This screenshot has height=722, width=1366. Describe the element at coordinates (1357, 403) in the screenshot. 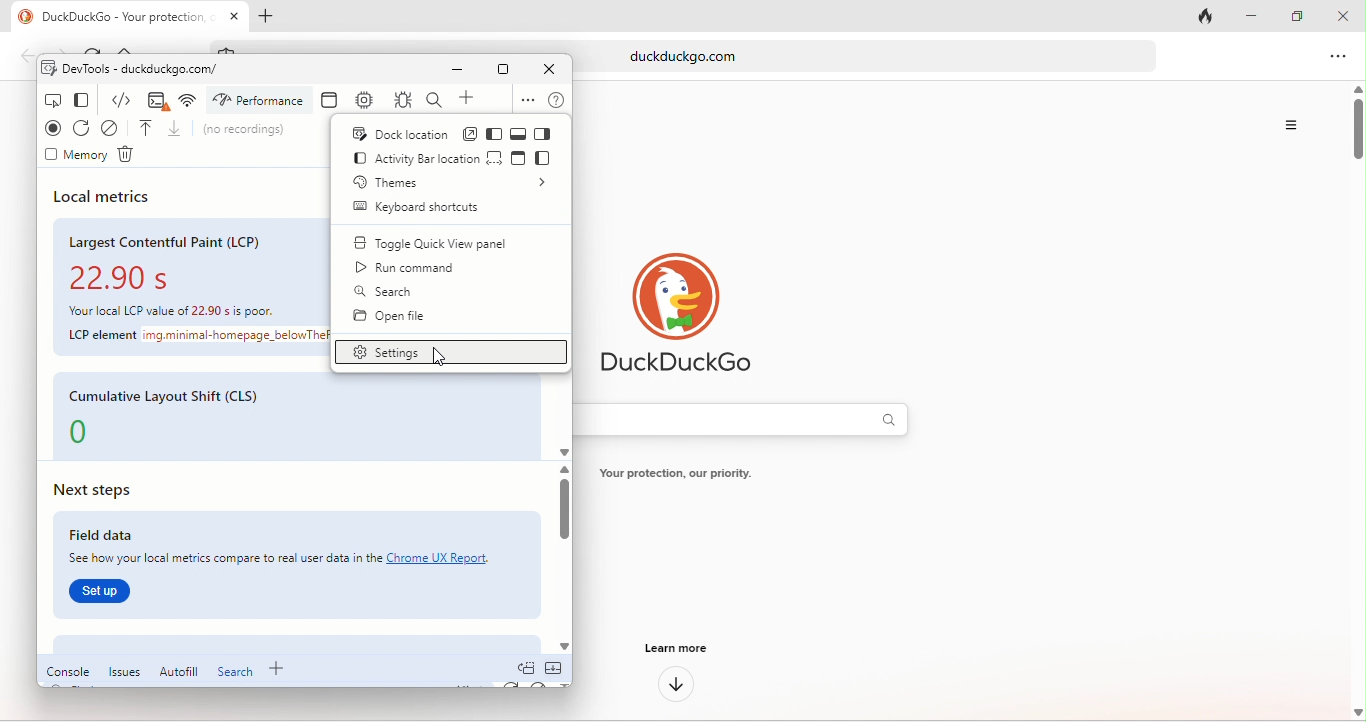

I see `vertical scroll bar` at that location.